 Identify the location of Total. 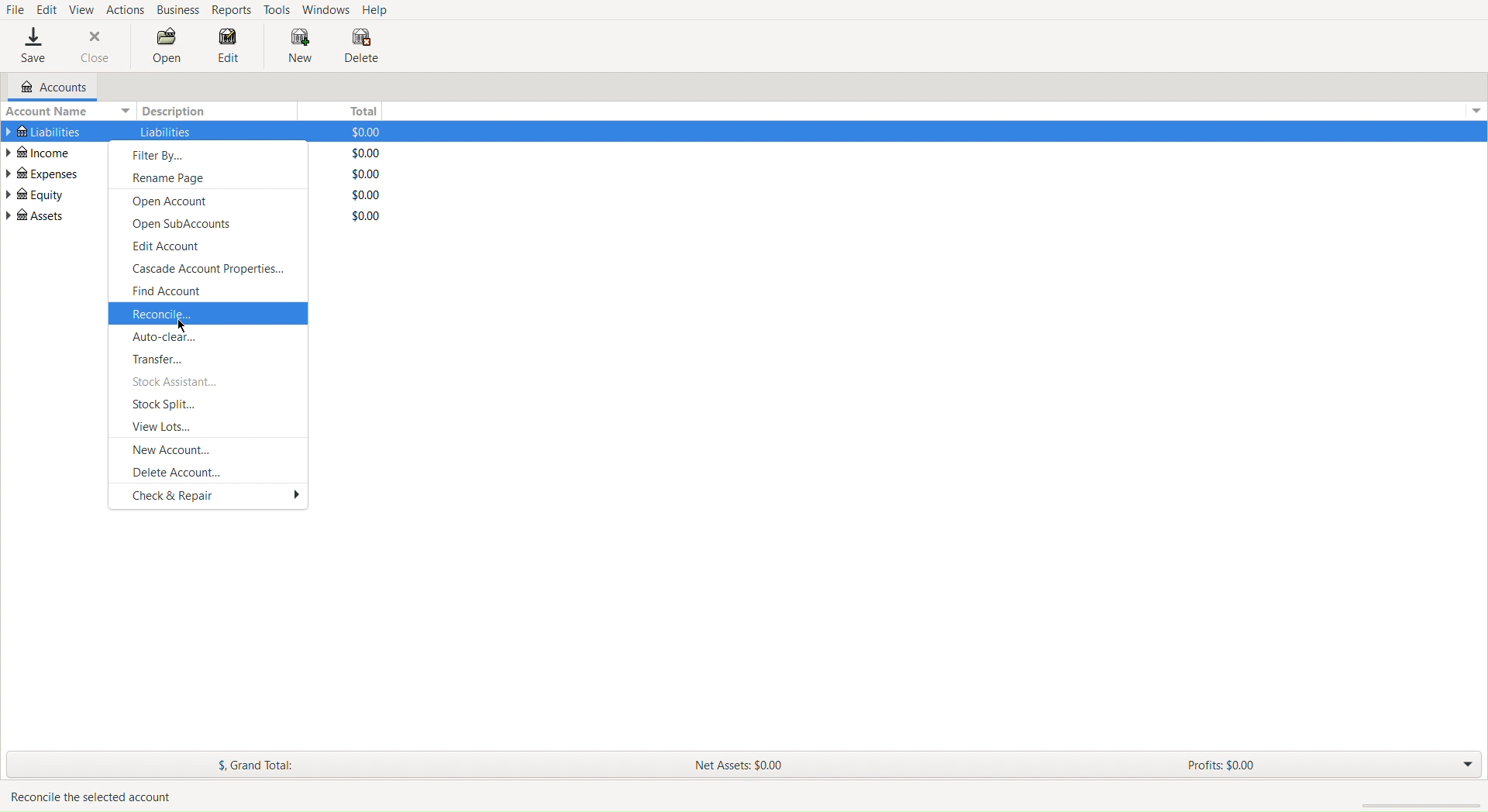
(367, 174).